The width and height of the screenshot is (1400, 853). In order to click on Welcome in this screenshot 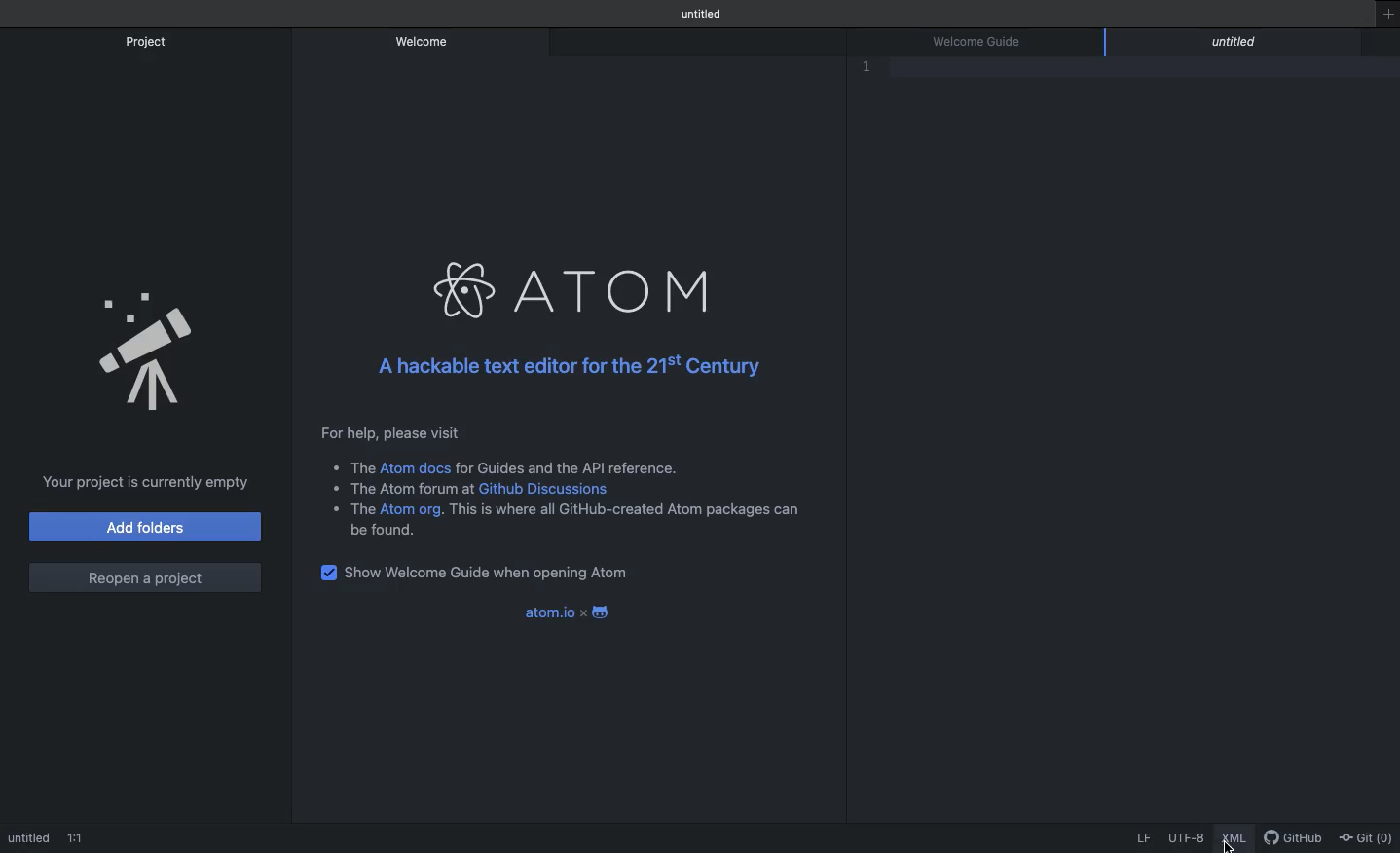, I will do `click(425, 45)`.